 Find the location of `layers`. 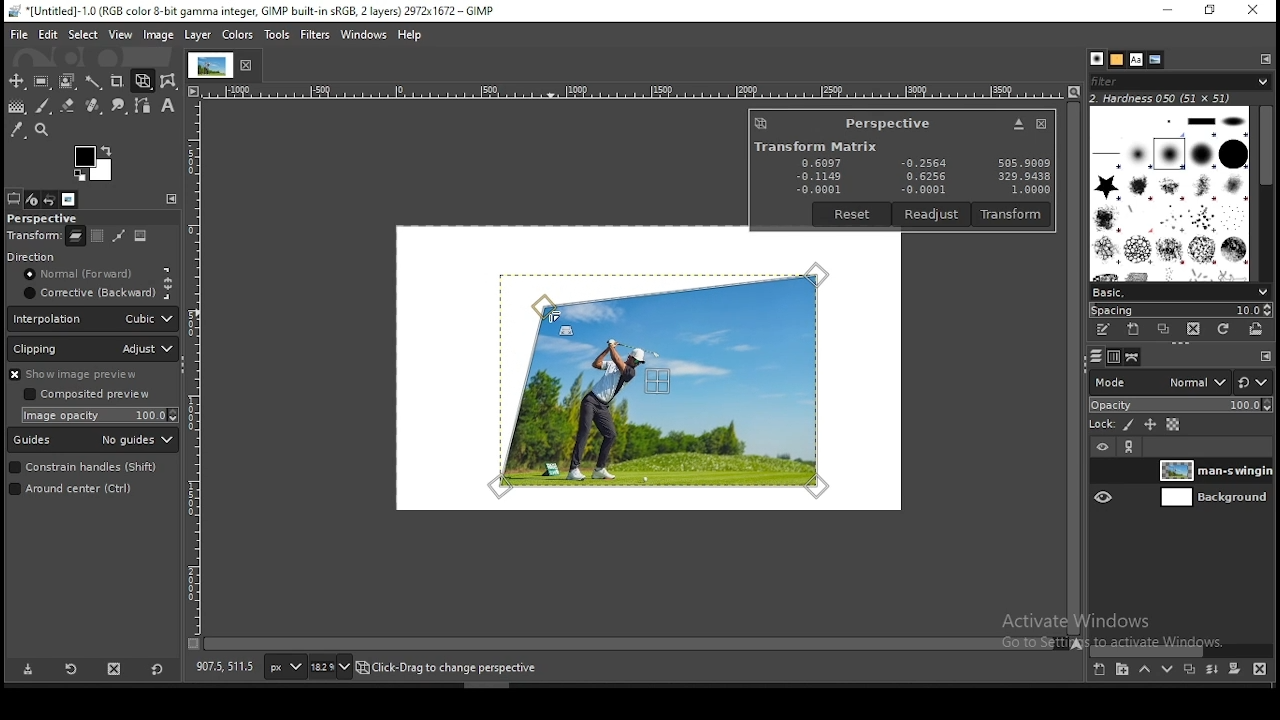

layers is located at coordinates (1096, 358).